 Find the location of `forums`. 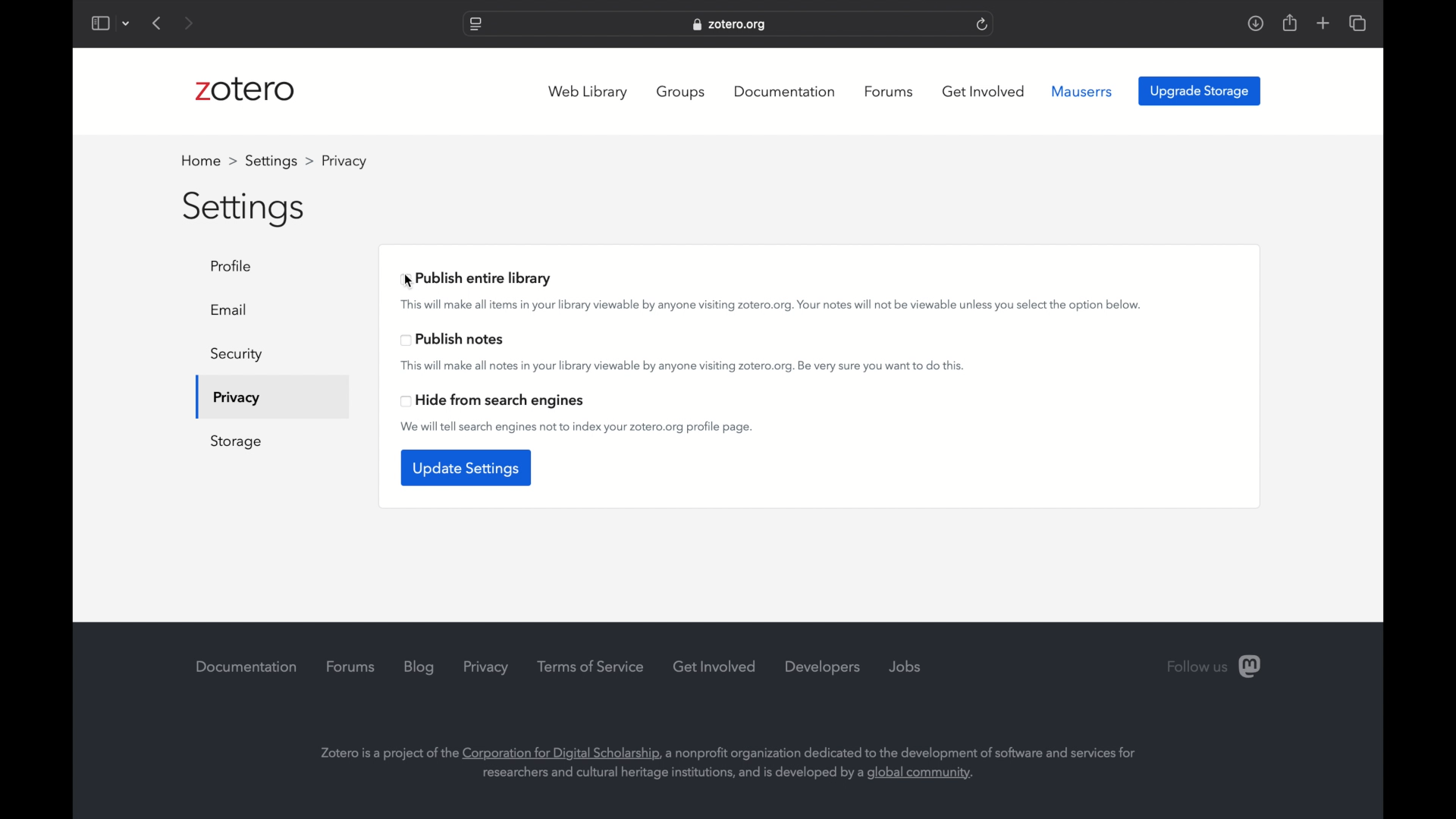

forums is located at coordinates (353, 667).